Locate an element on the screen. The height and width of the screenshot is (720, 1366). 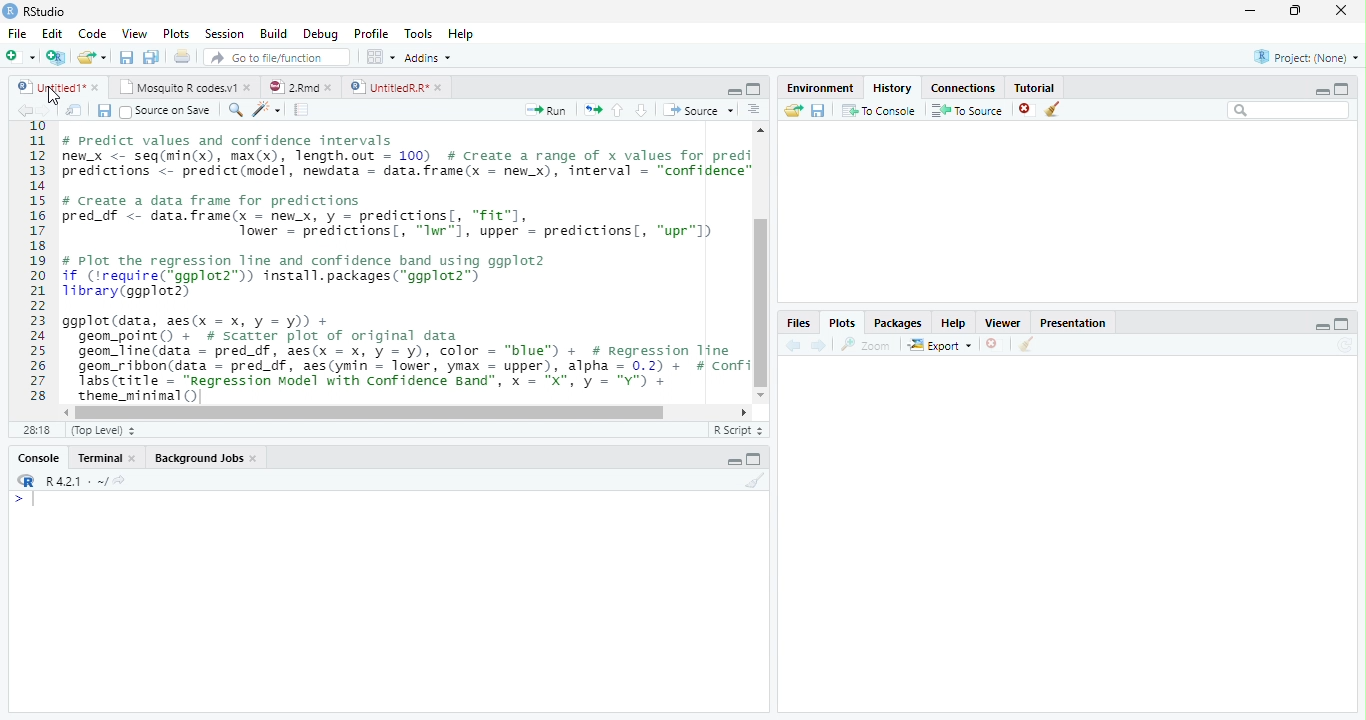
To Console is located at coordinates (878, 112).